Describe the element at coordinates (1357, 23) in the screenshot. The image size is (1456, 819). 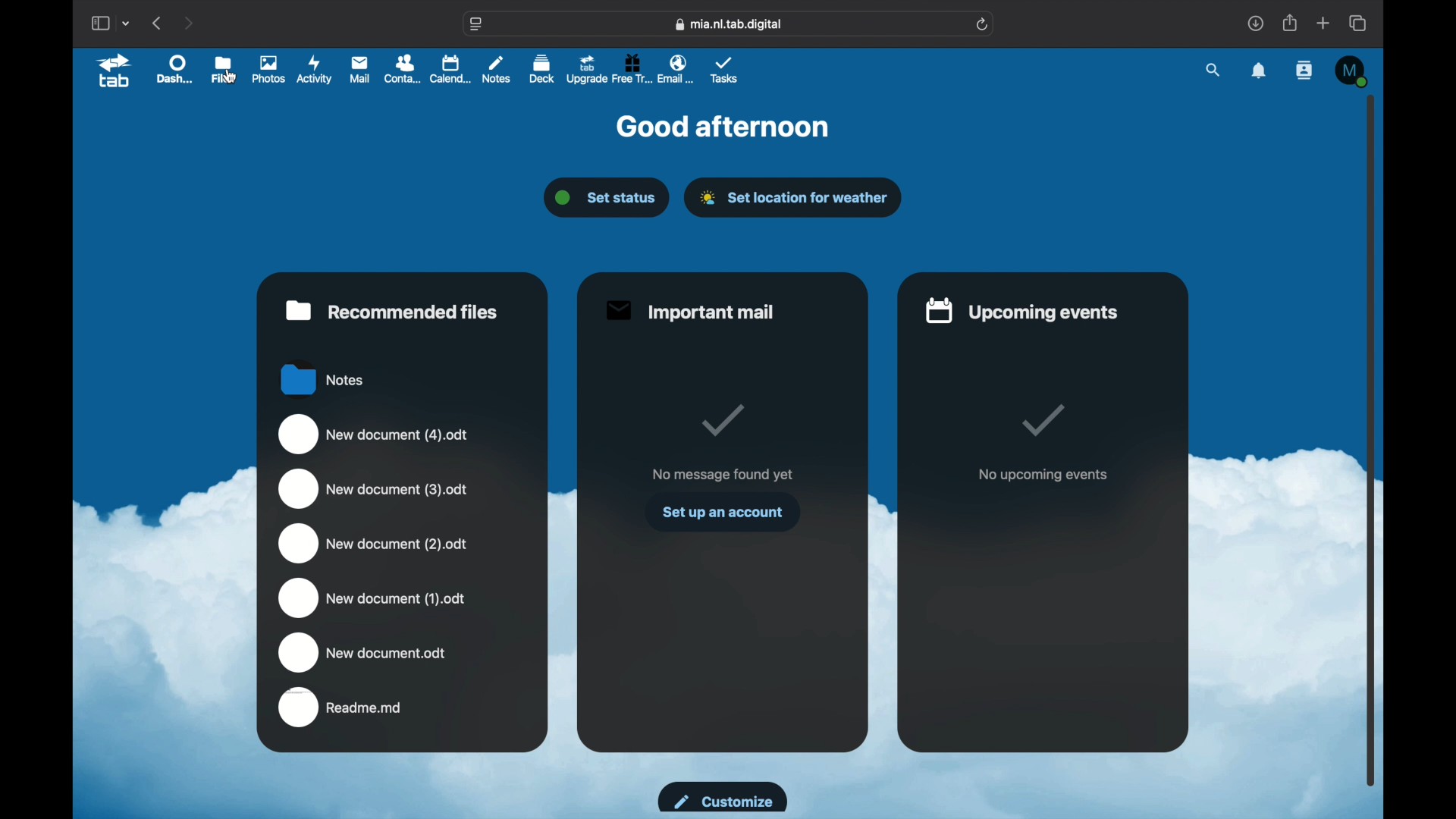
I see `show tab overview` at that location.